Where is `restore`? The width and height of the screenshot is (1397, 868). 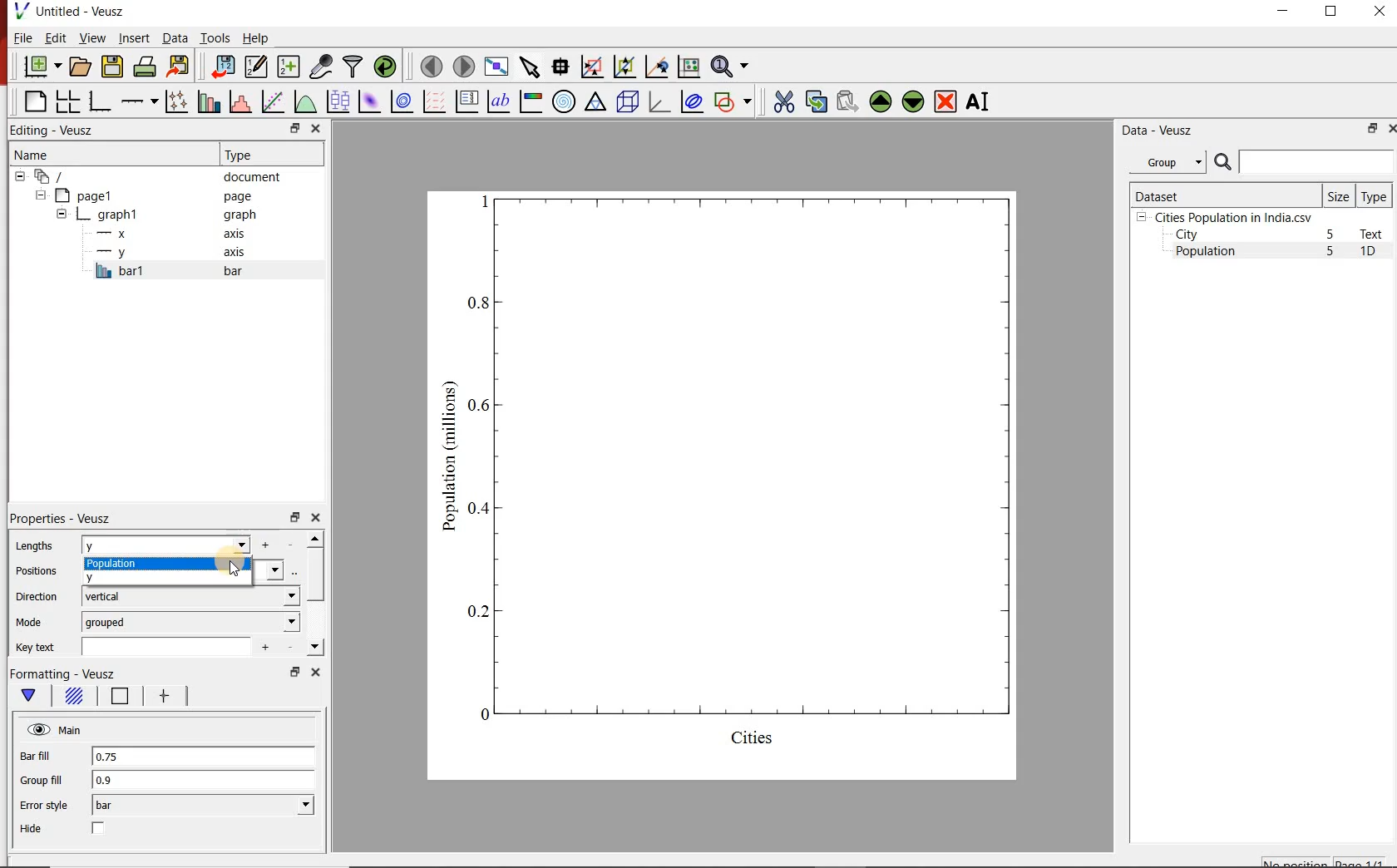 restore is located at coordinates (294, 128).